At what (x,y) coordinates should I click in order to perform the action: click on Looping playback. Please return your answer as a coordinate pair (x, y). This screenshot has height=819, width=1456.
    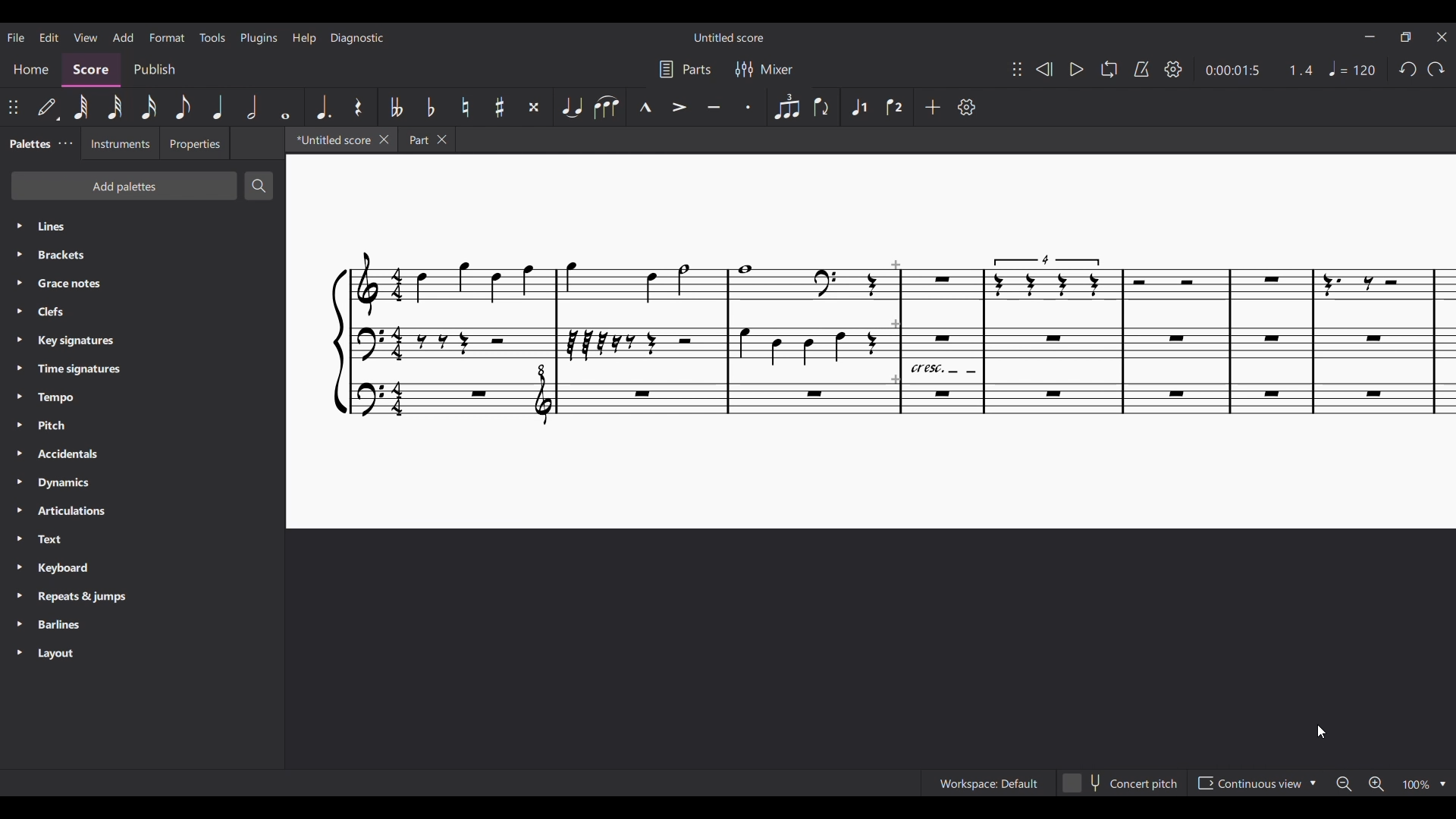
    Looking at the image, I should click on (1108, 69).